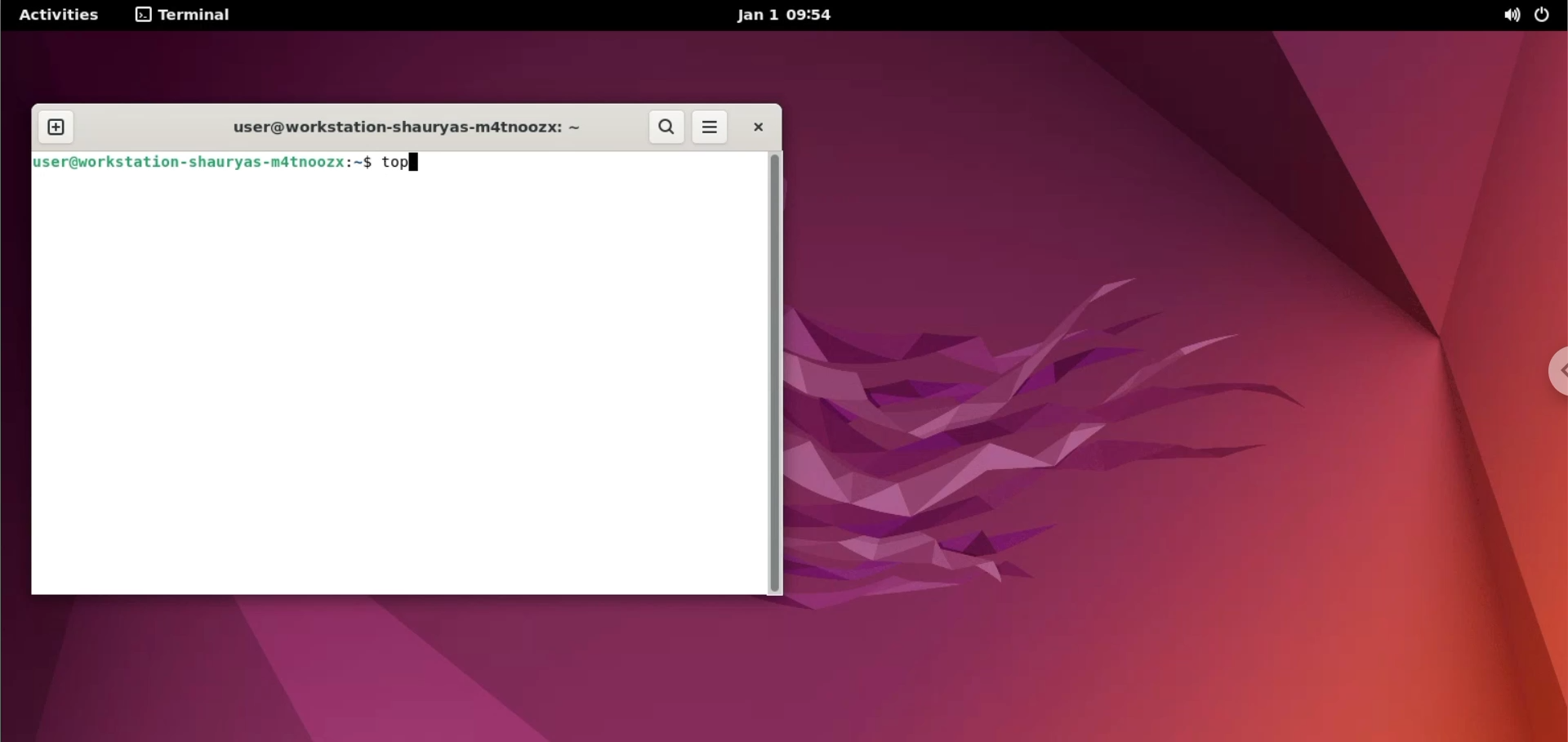 The height and width of the screenshot is (742, 1568). I want to click on power options, so click(1548, 16).